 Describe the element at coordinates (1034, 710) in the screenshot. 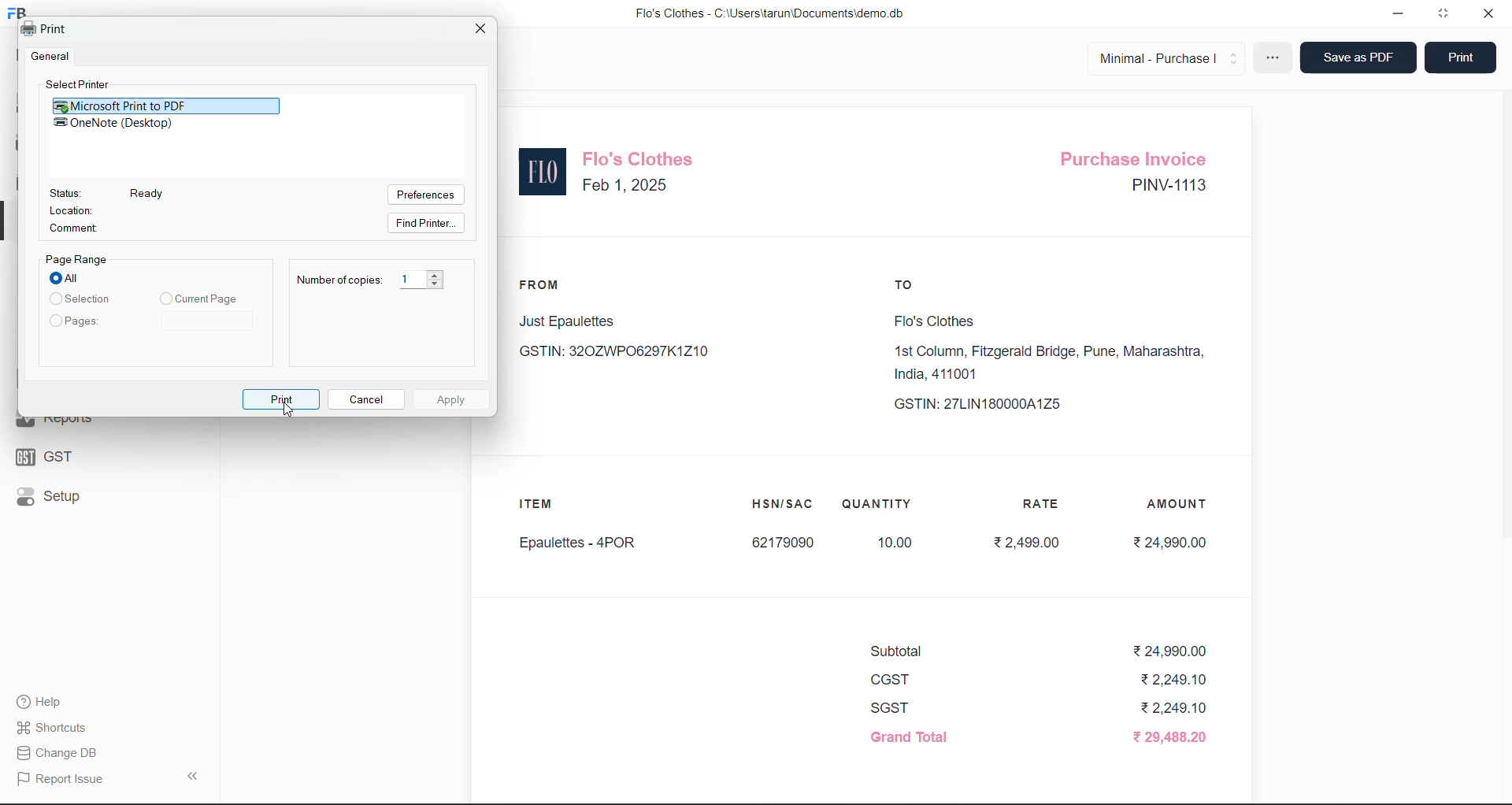

I see `SGST ₹2,249.10` at that location.